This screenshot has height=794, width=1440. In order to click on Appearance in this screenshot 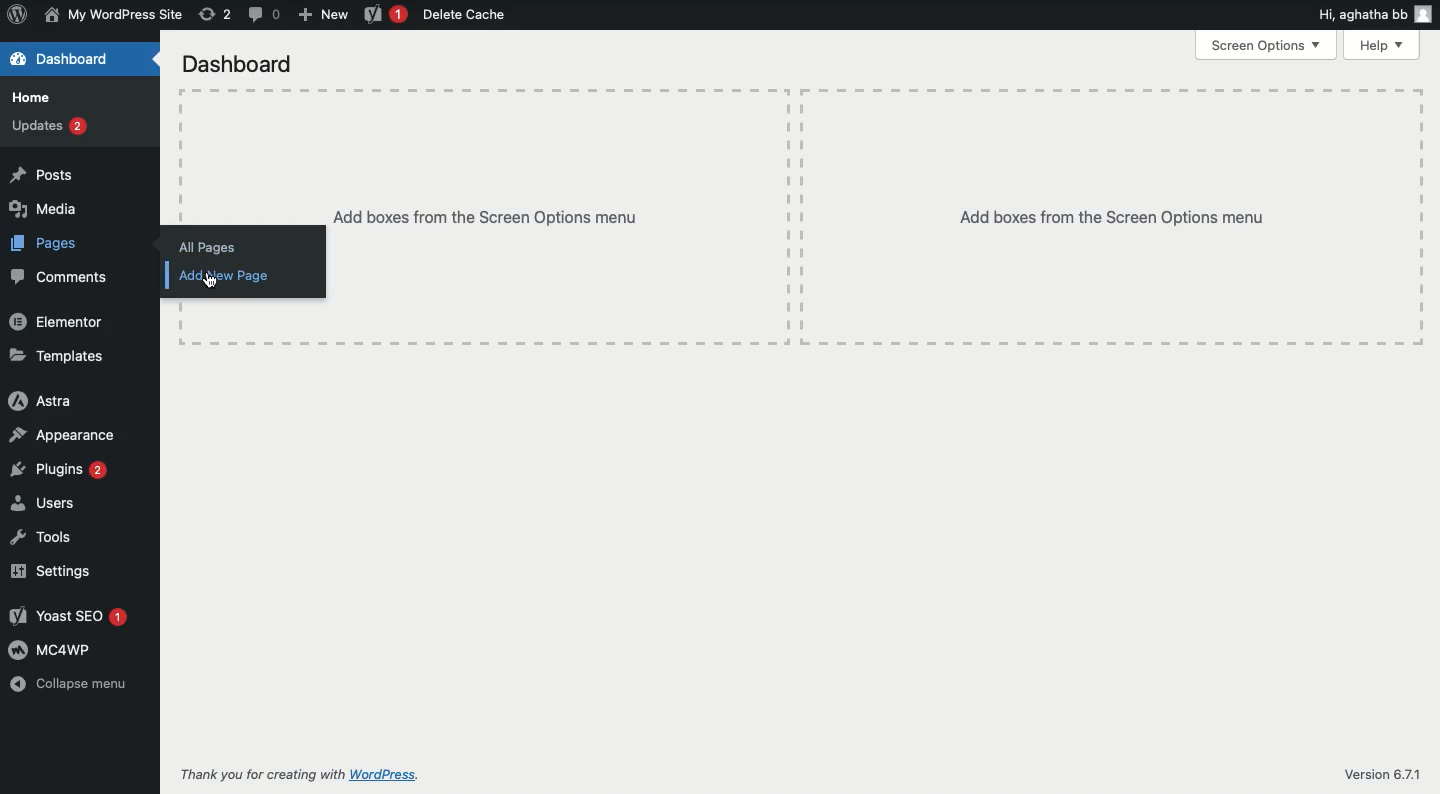, I will do `click(64, 433)`.